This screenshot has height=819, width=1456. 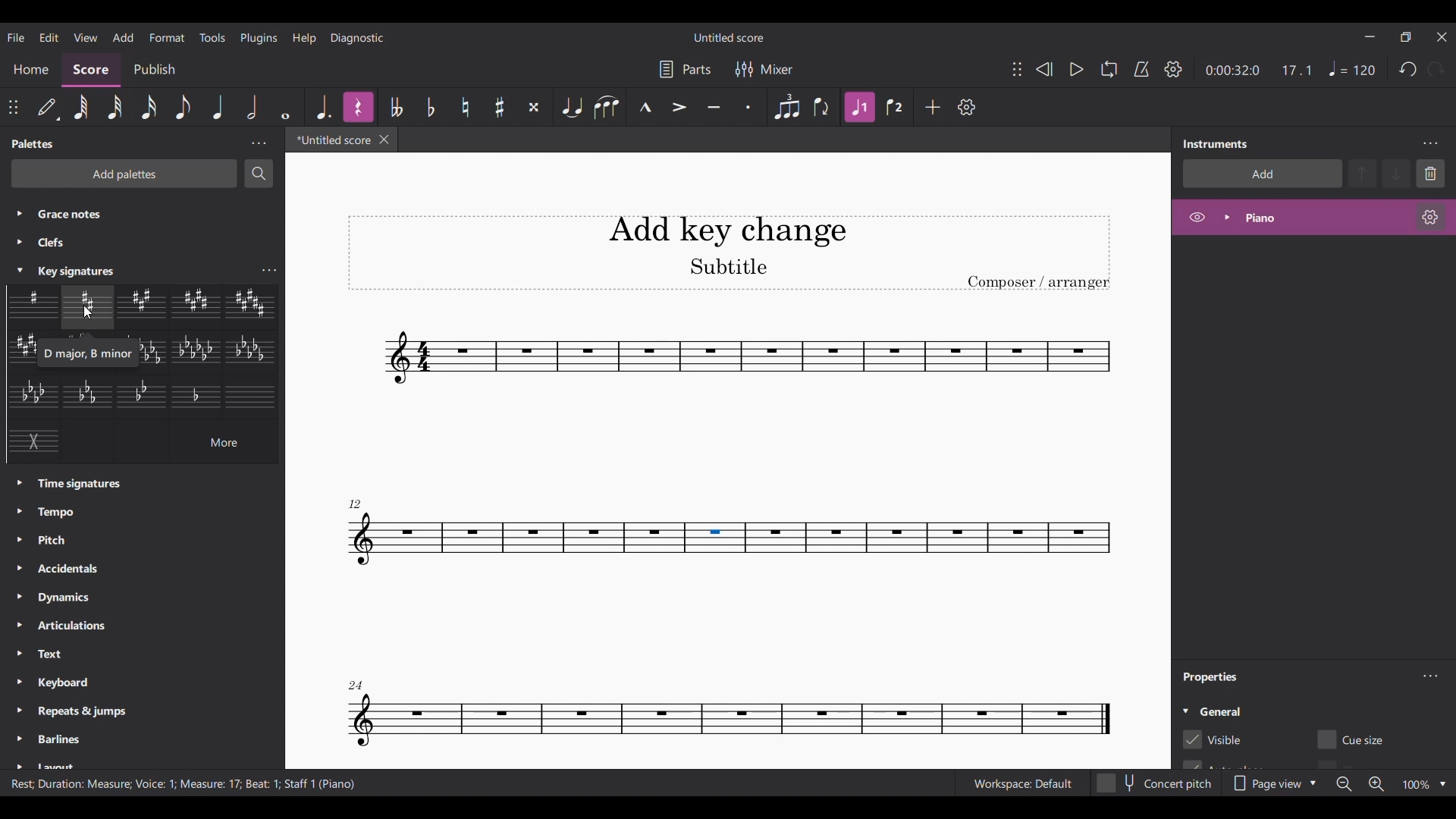 What do you see at coordinates (749, 107) in the screenshot?
I see `Staccato` at bounding box center [749, 107].